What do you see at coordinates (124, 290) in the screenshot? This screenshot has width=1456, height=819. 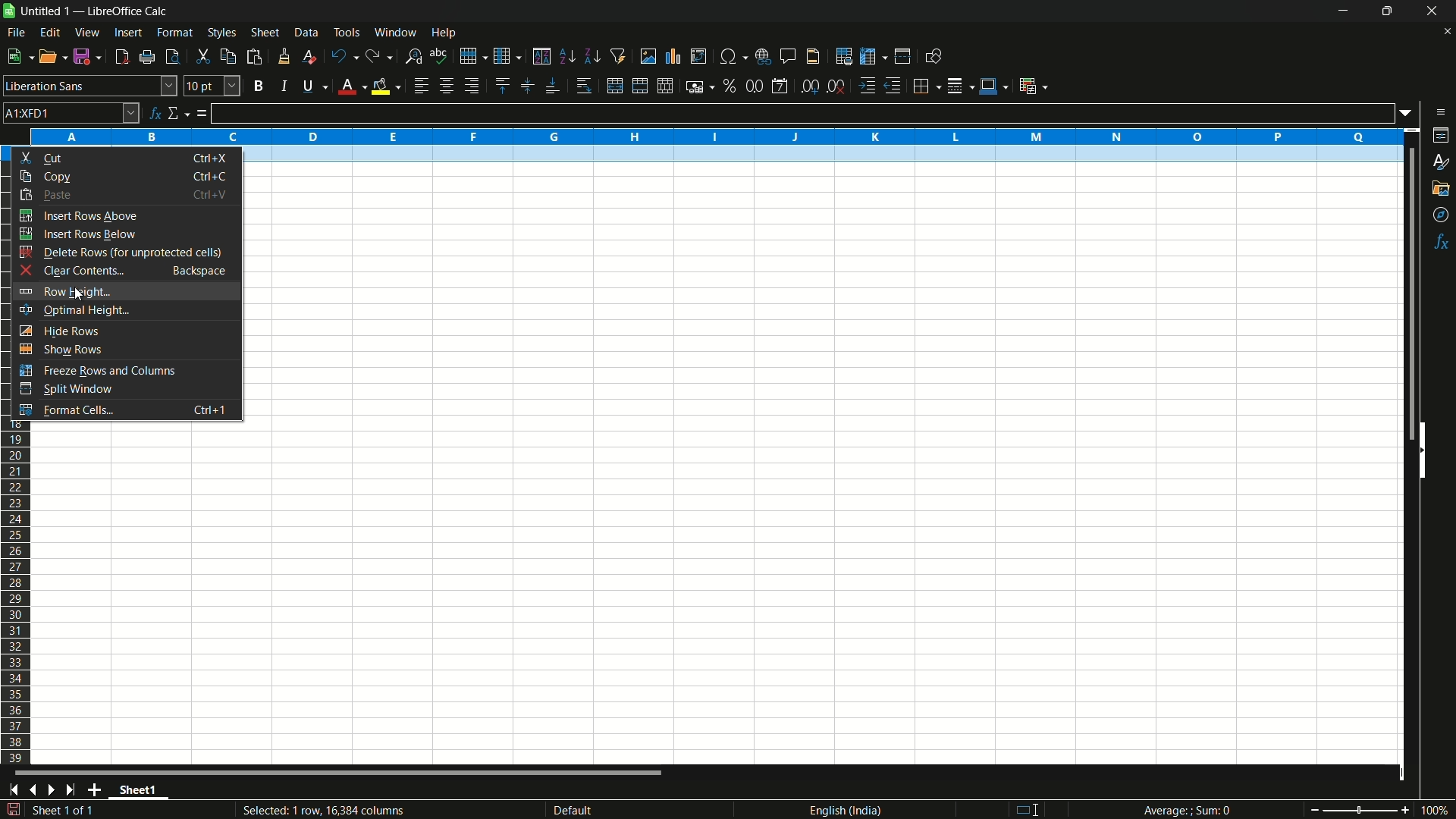 I see `row height` at bounding box center [124, 290].